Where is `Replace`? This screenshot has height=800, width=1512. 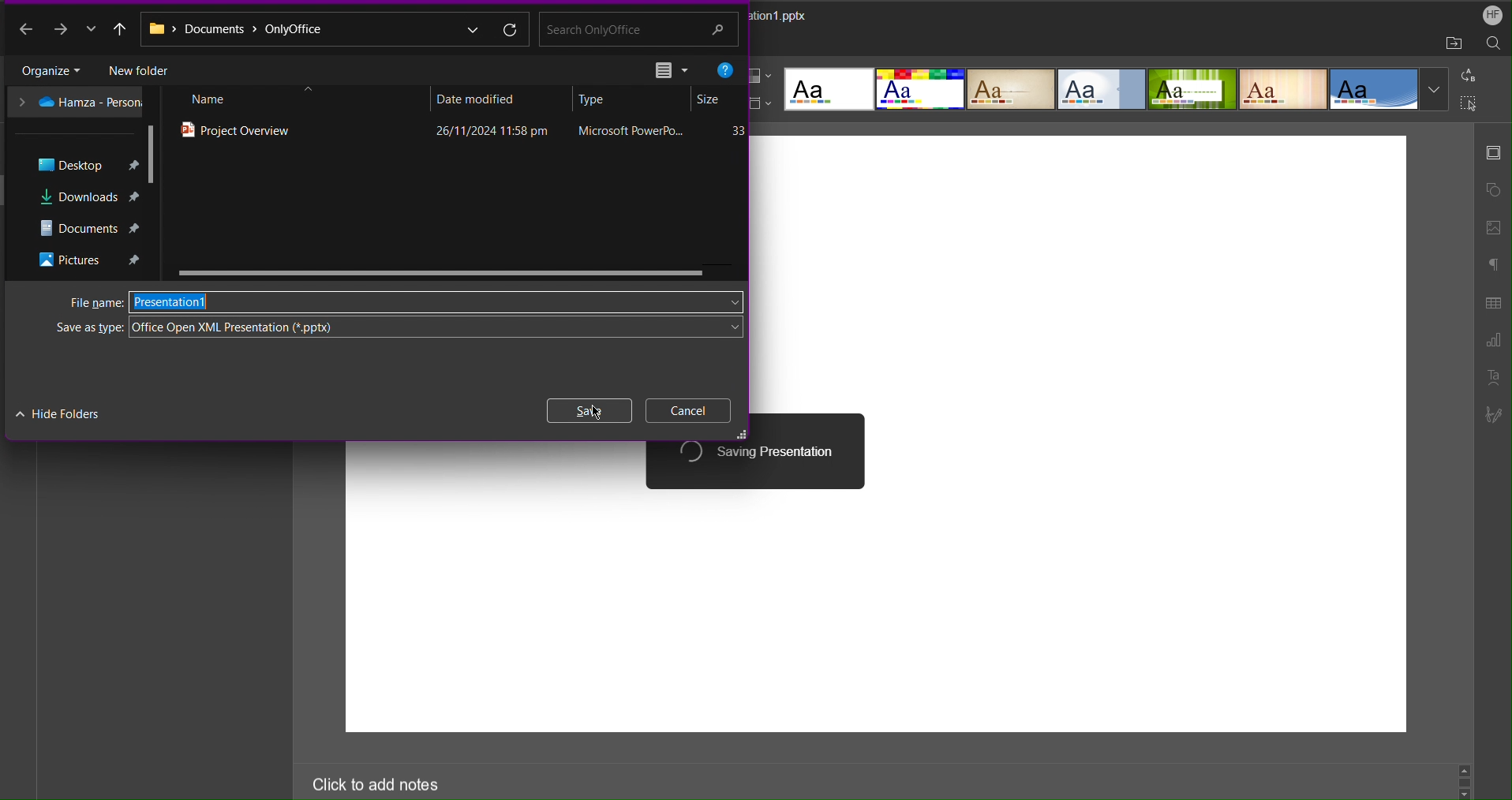 Replace is located at coordinates (1466, 76).